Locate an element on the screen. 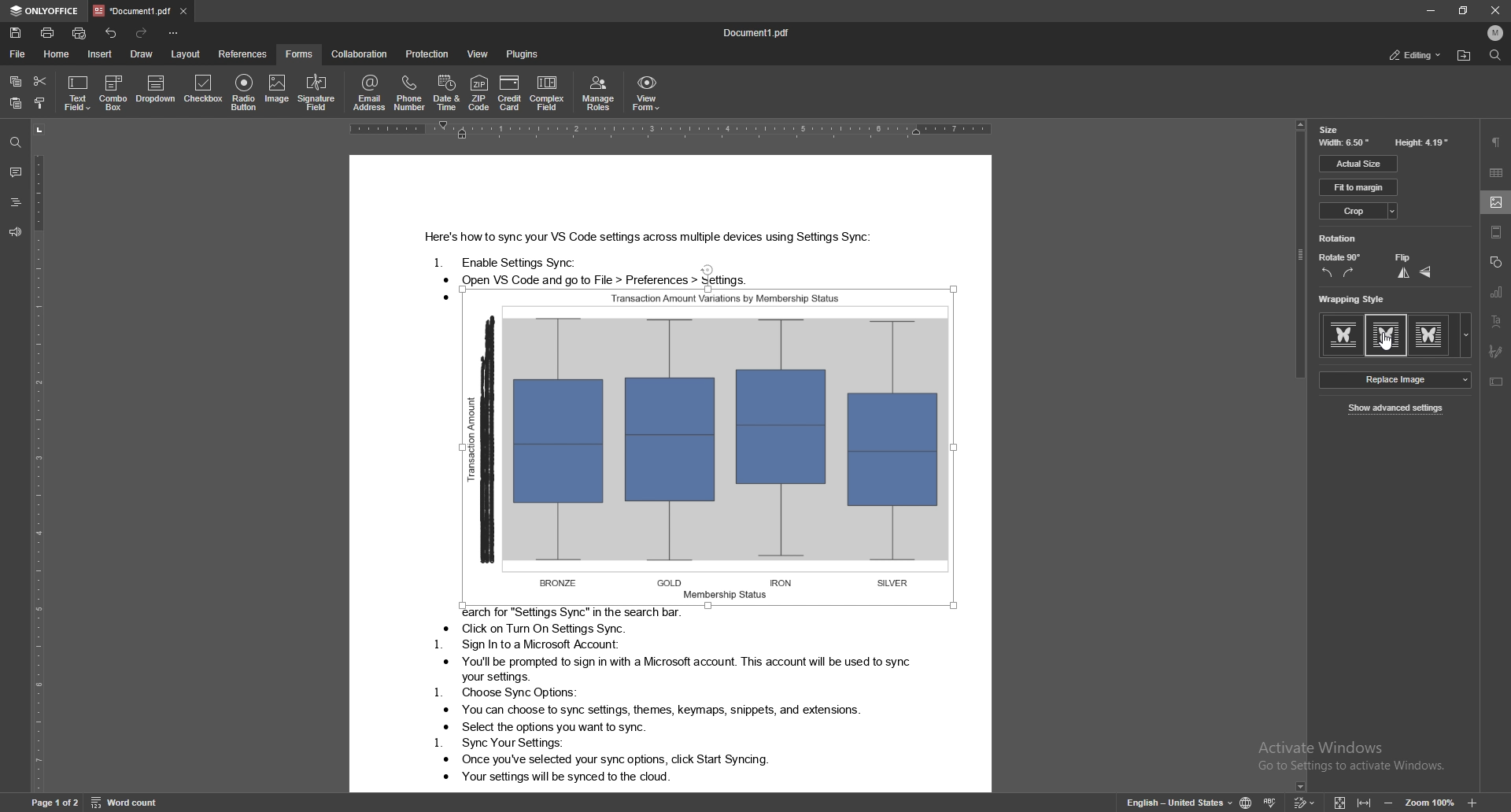 This screenshot has height=812, width=1511. onlyoffice is located at coordinates (44, 10).